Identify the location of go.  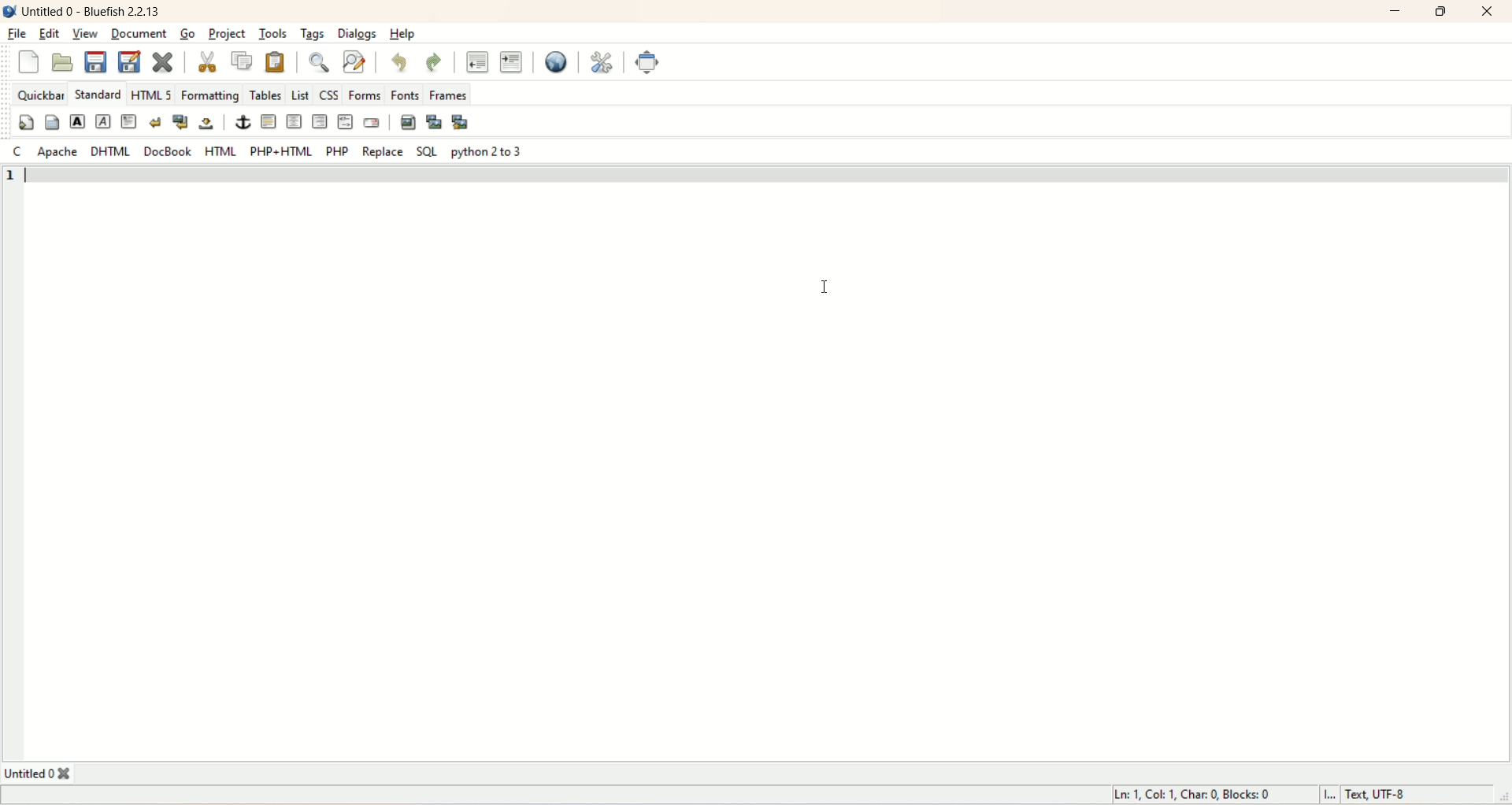
(189, 33).